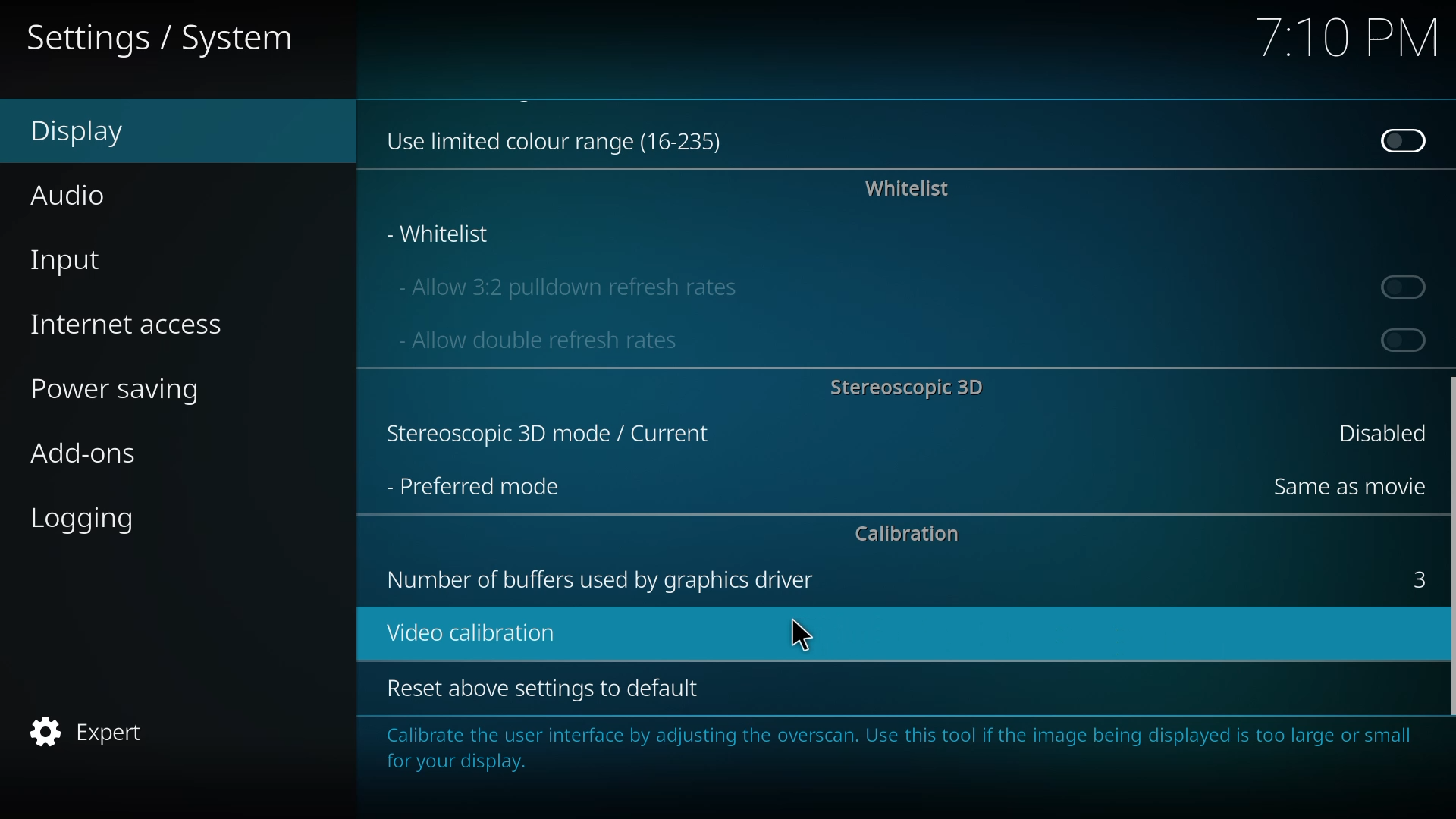 Image resolution: width=1456 pixels, height=819 pixels. I want to click on allow double refresh rates, so click(535, 339).